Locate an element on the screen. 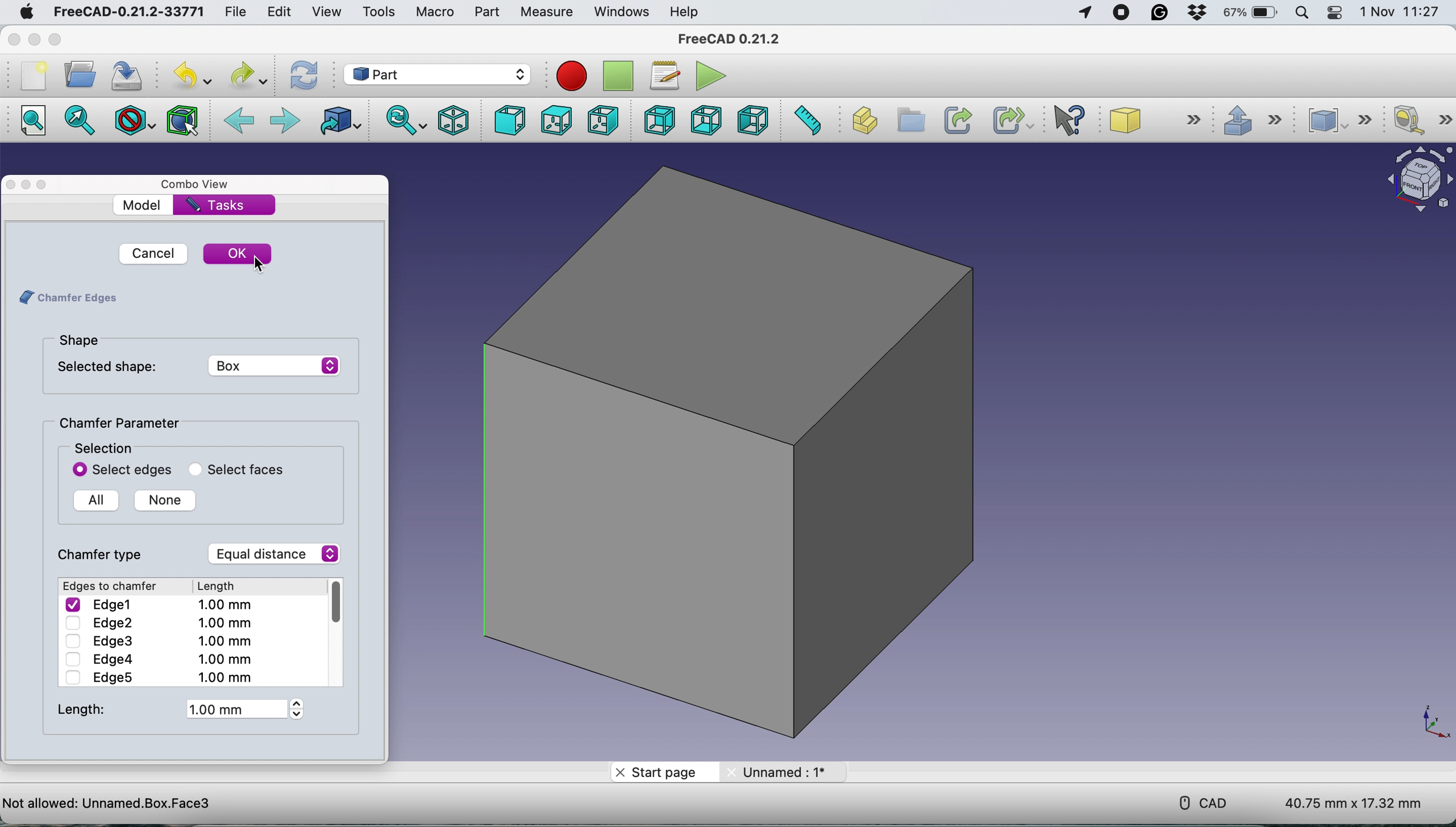  work bench is located at coordinates (437, 73).